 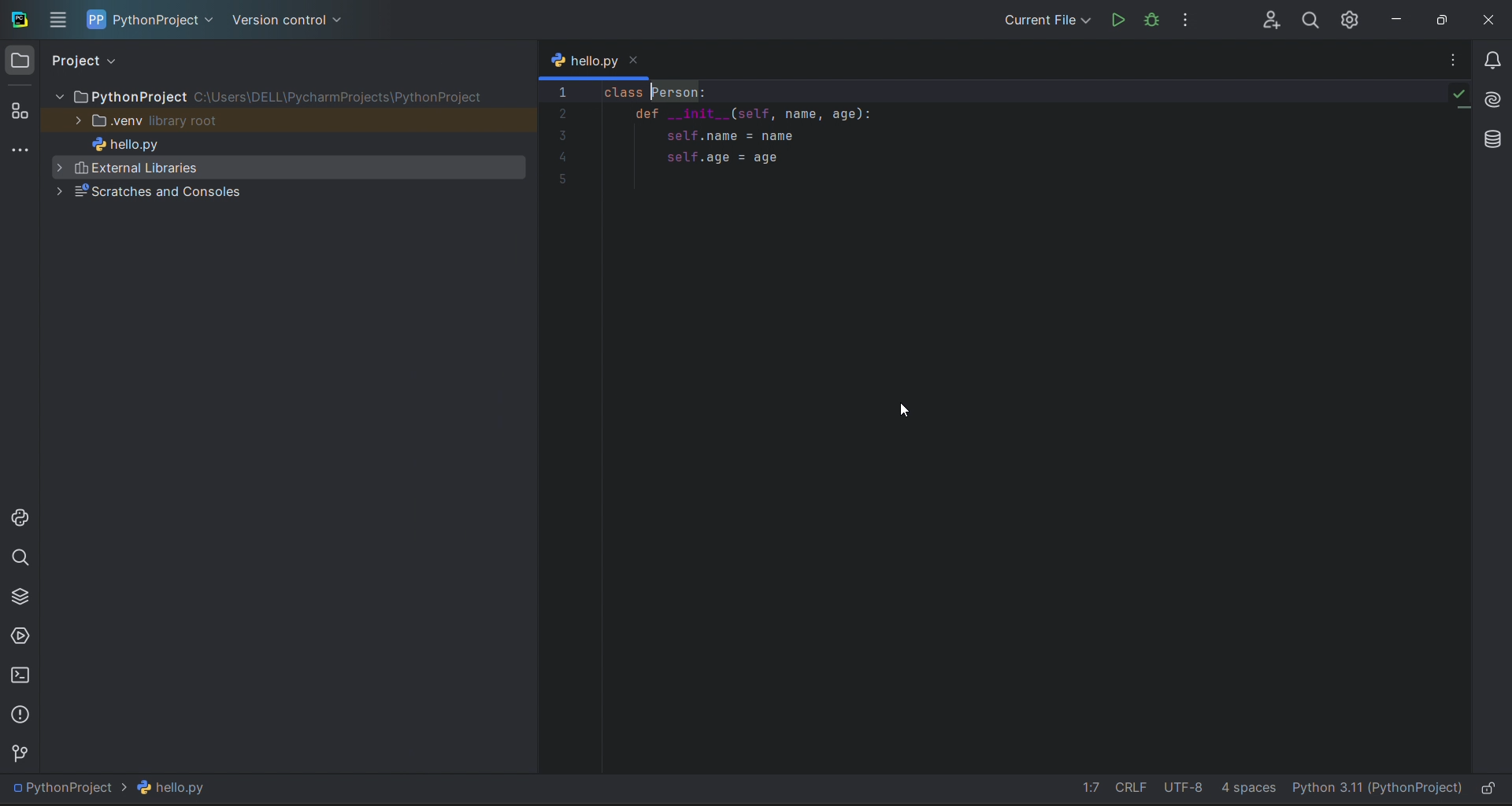 I want to click on debug, so click(x=1152, y=18).